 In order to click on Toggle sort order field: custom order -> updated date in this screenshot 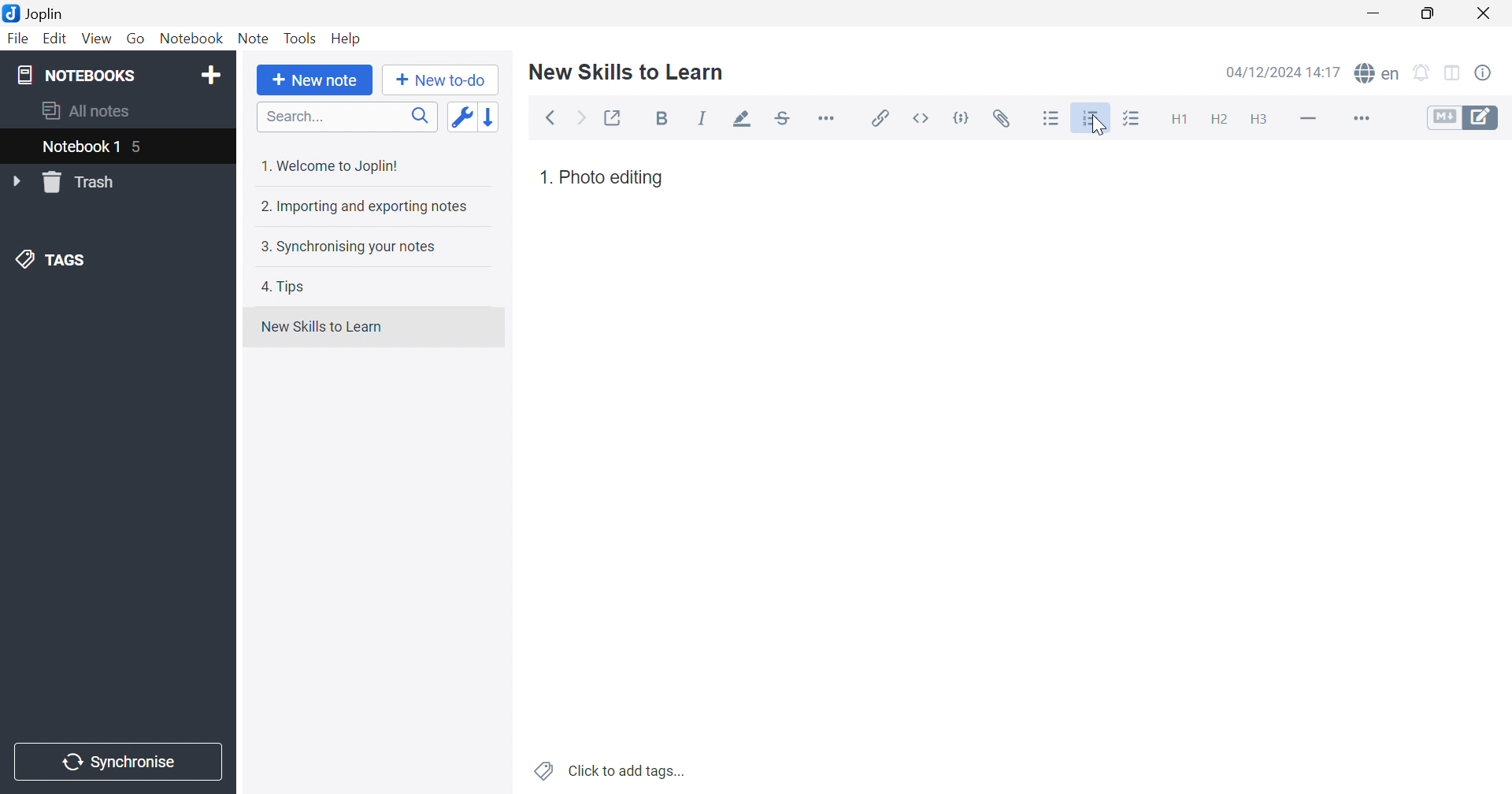, I will do `click(461, 116)`.